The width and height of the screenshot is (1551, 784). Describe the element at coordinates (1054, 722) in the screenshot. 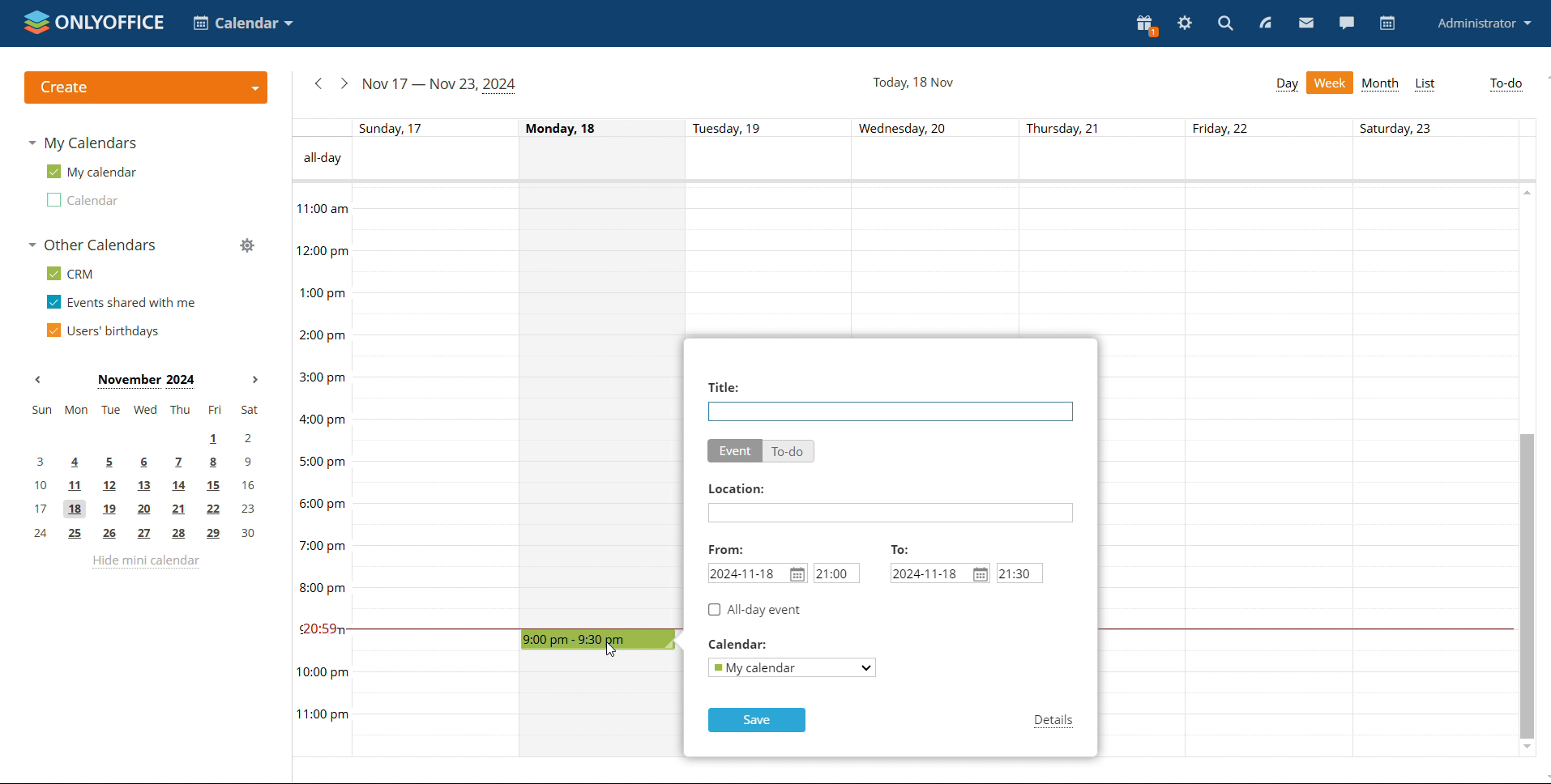

I see `details` at that location.